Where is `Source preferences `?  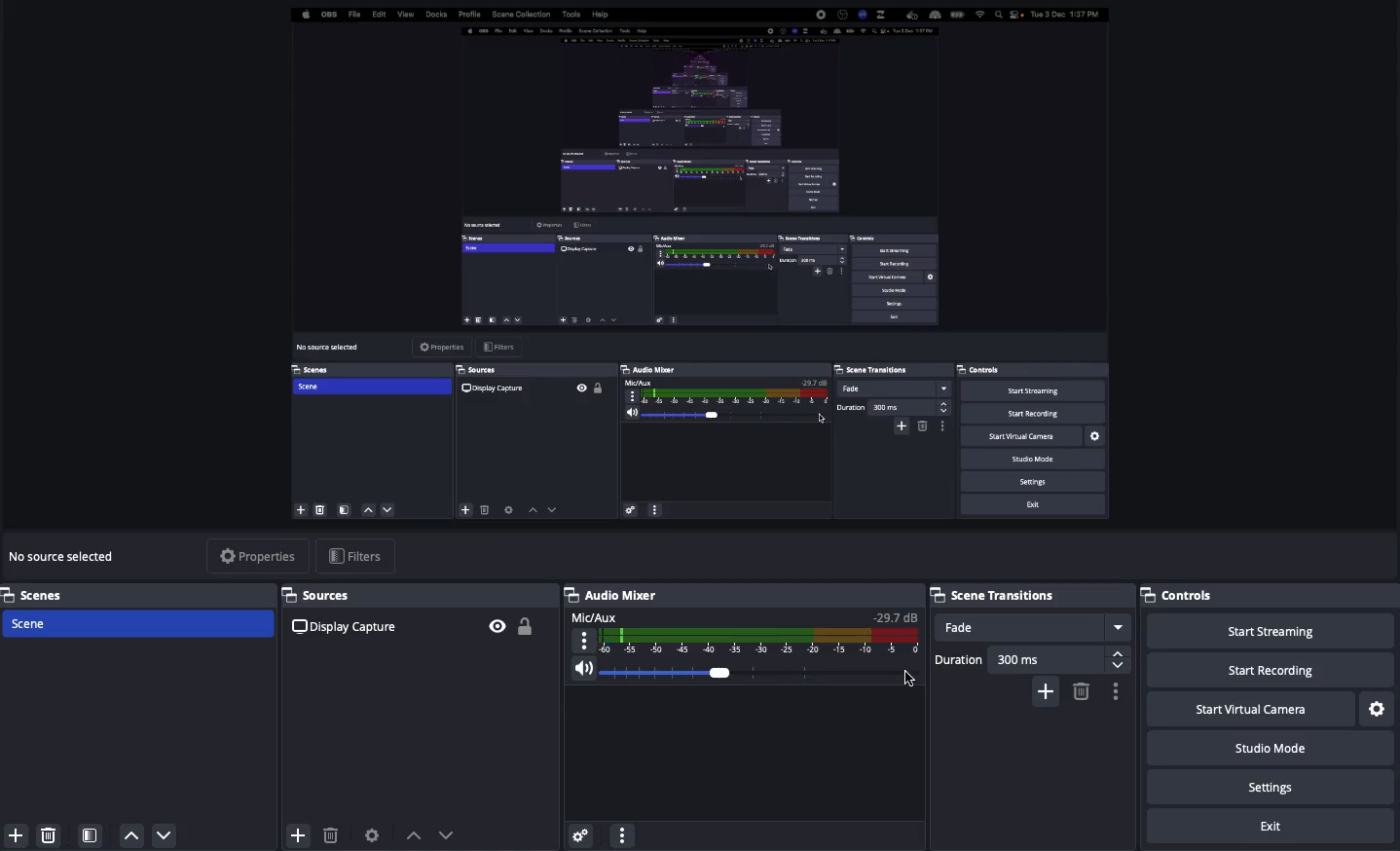 Source preferences  is located at coordinates (374, 833).